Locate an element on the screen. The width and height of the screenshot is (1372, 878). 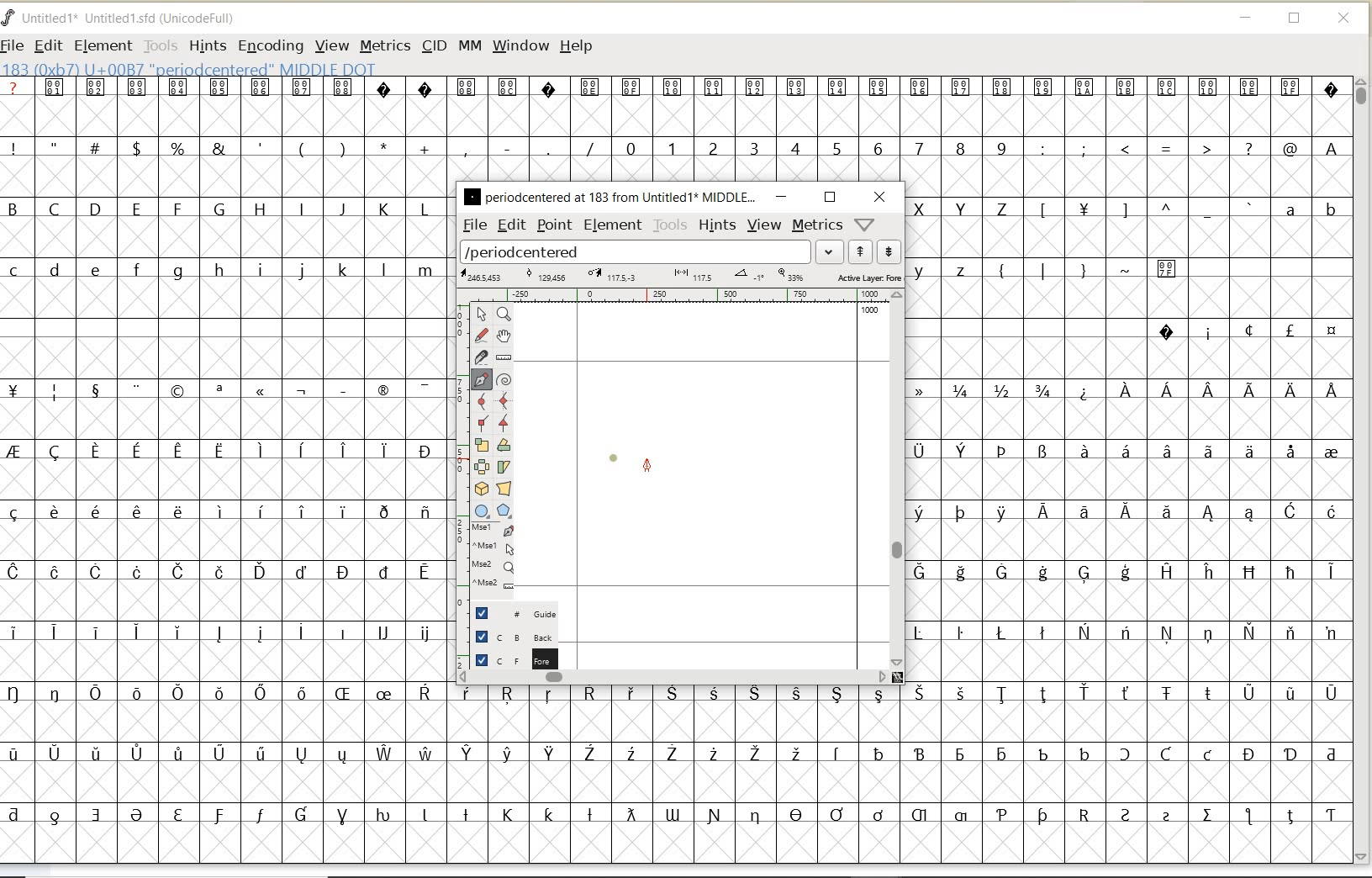
scale is located at coordinates (458, 443).